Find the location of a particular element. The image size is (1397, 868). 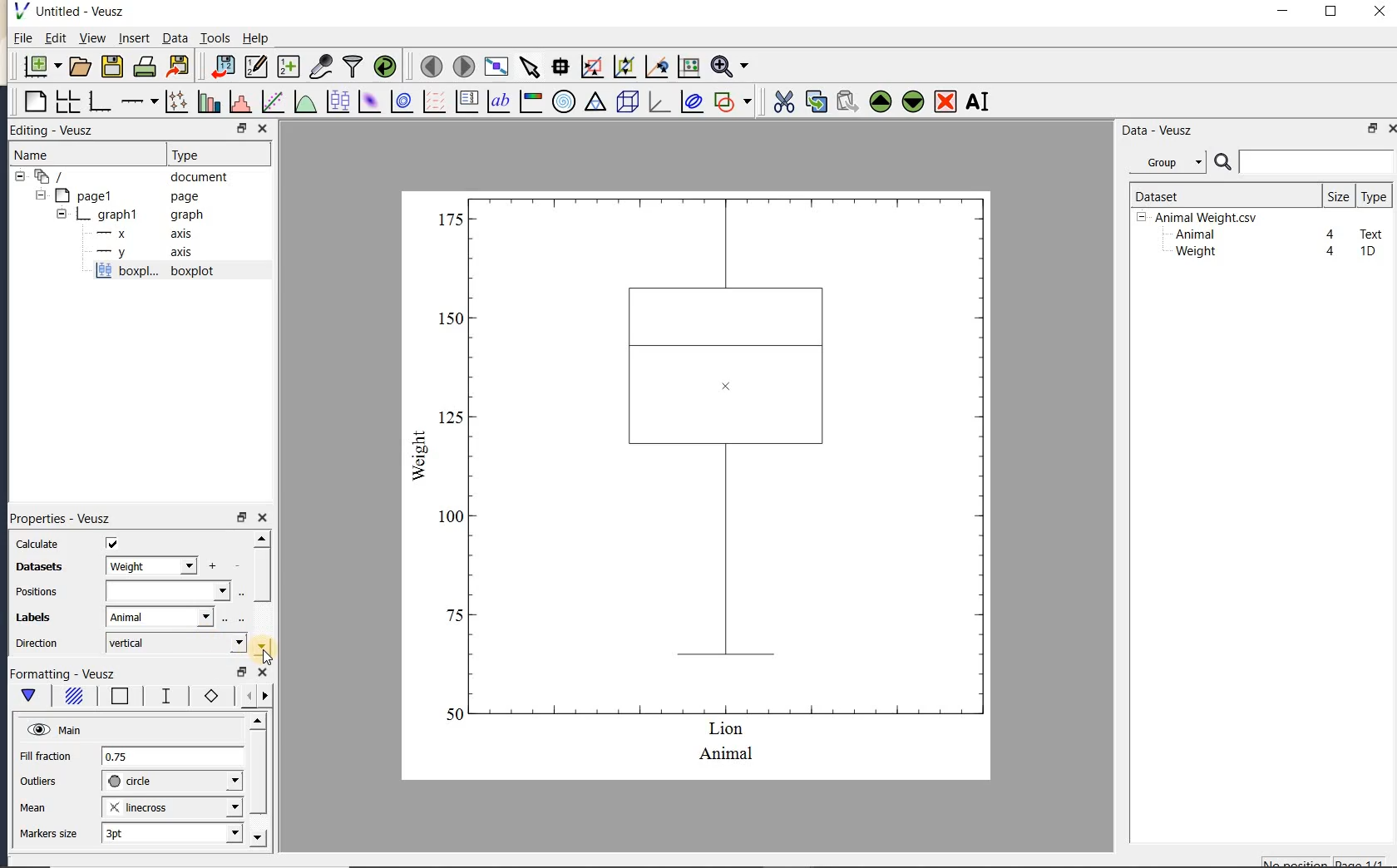

Tools is located at coordinates (216, 37).